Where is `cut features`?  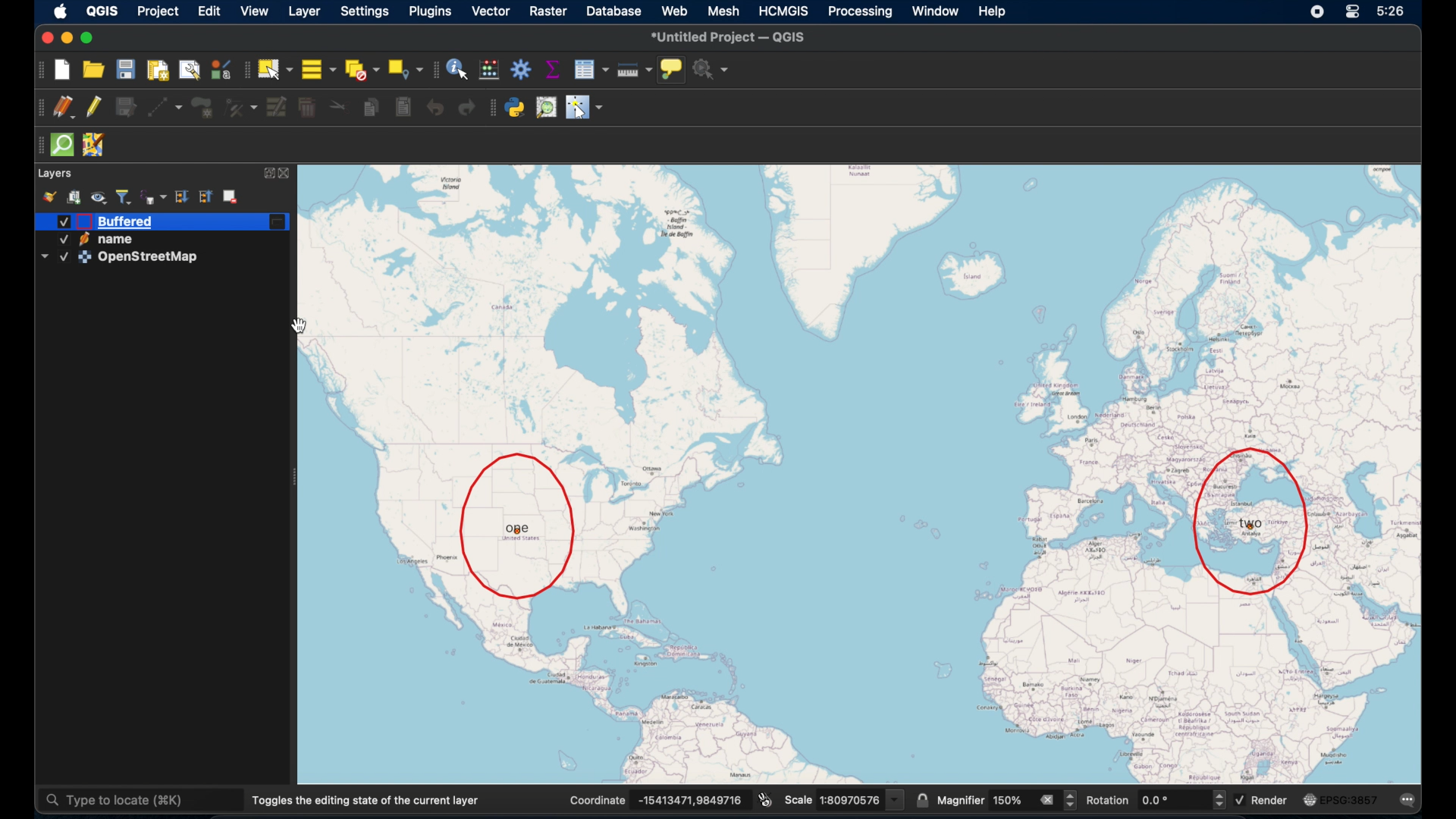
cut features is located at coordinates (338, 107).